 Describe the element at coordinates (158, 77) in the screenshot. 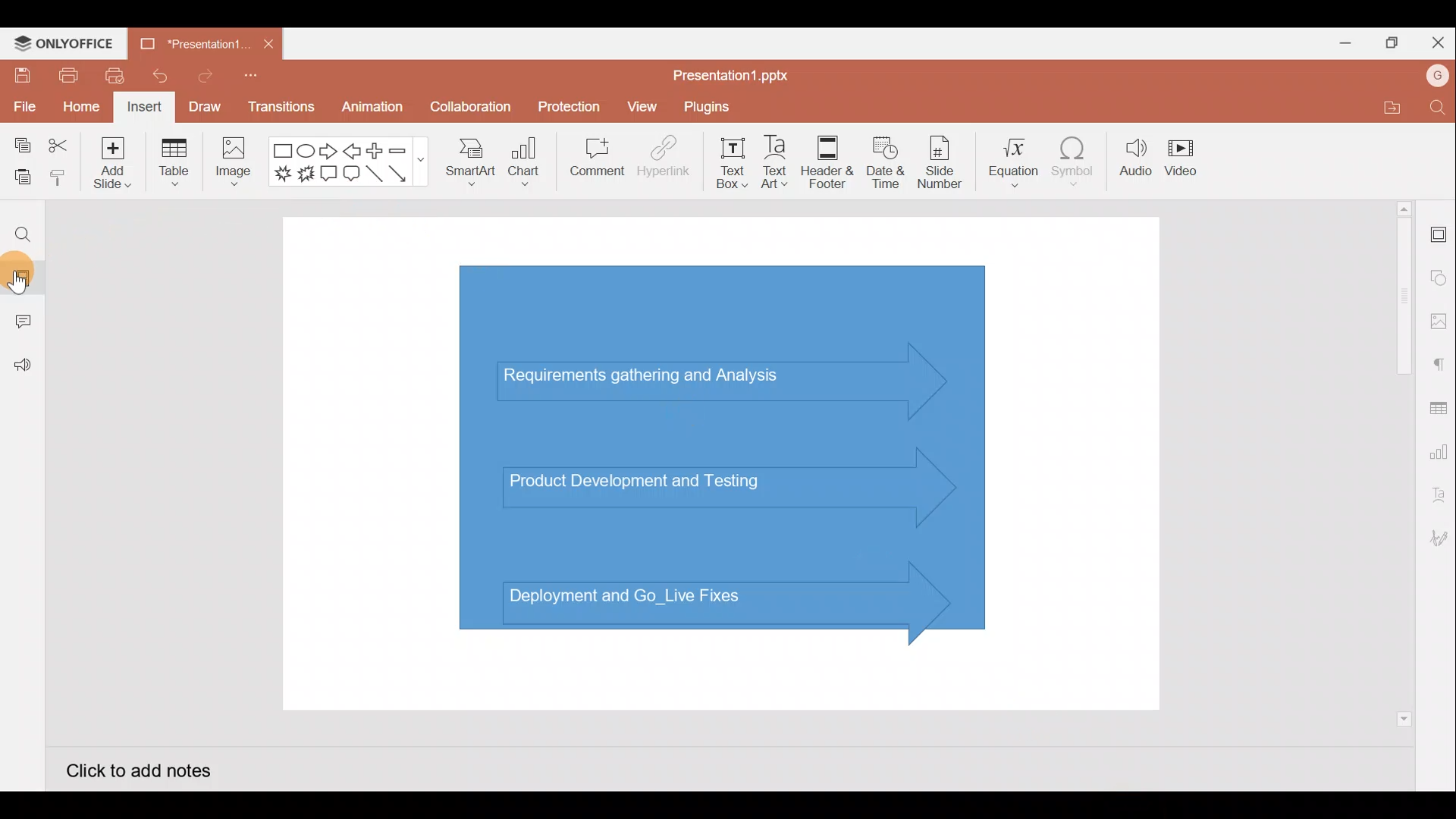

I see `Undo` at that location.